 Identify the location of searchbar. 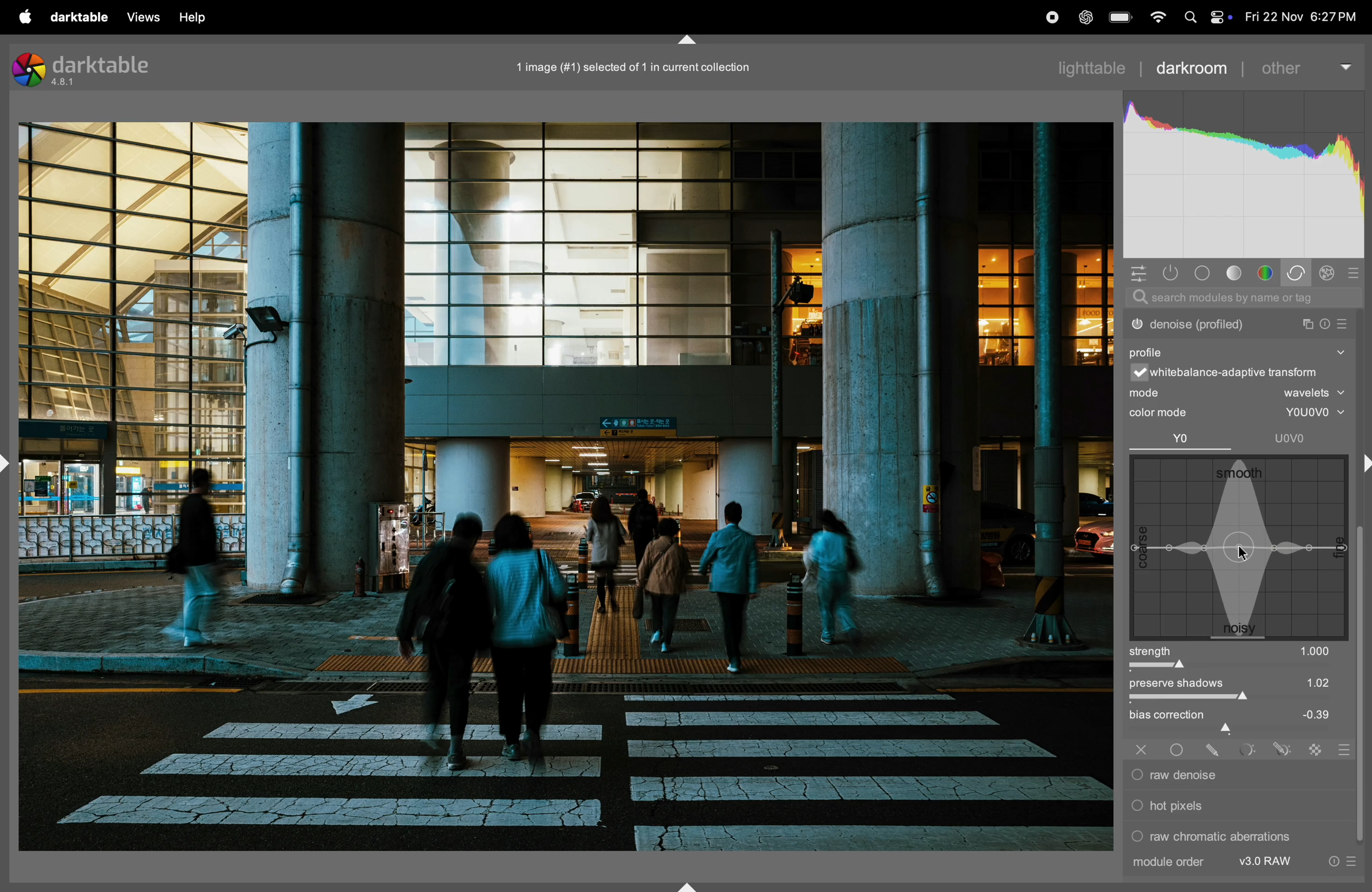
(1243, 299).